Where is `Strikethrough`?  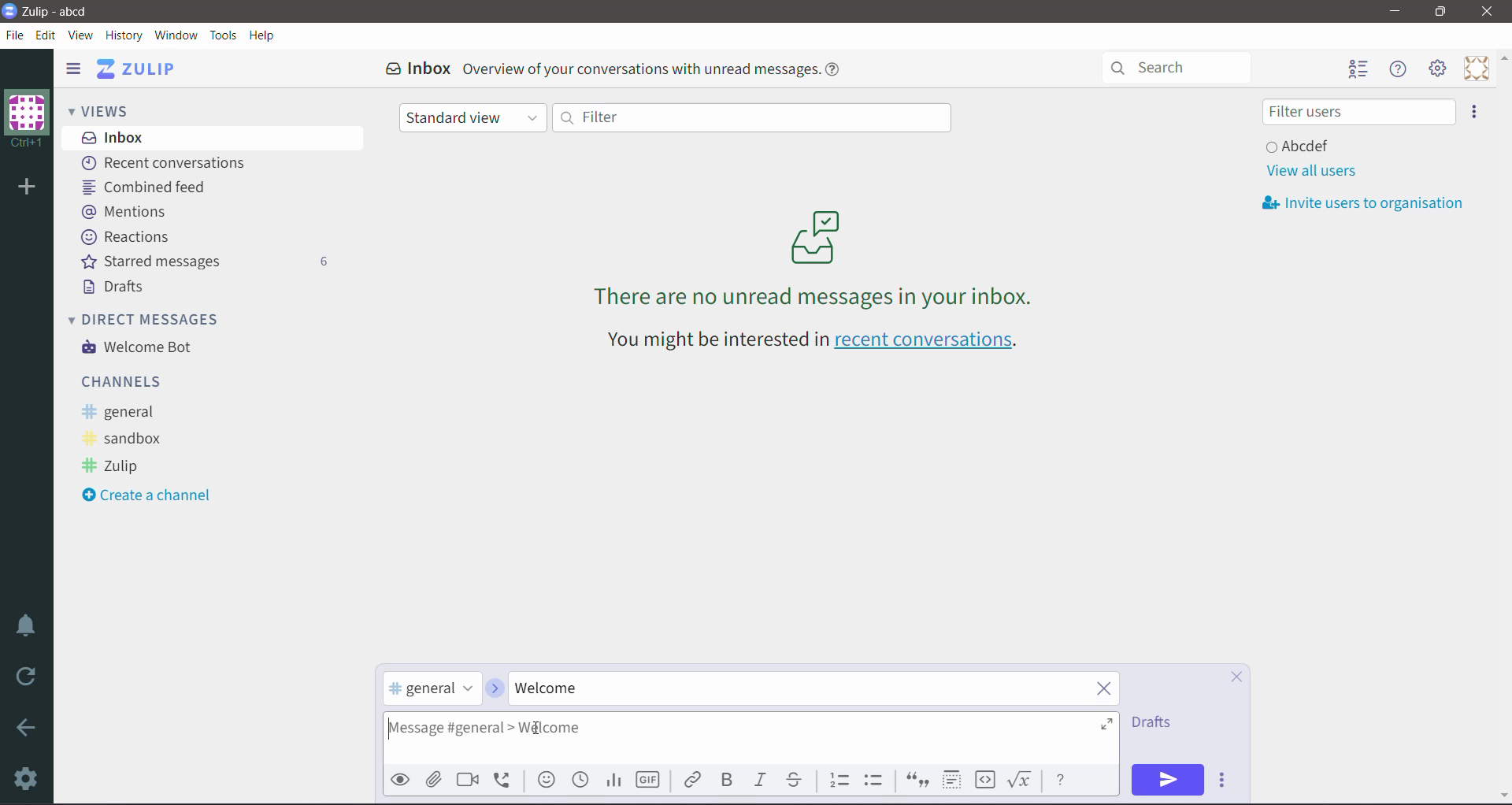
Strikethrough is located at coordinates (795, 780).